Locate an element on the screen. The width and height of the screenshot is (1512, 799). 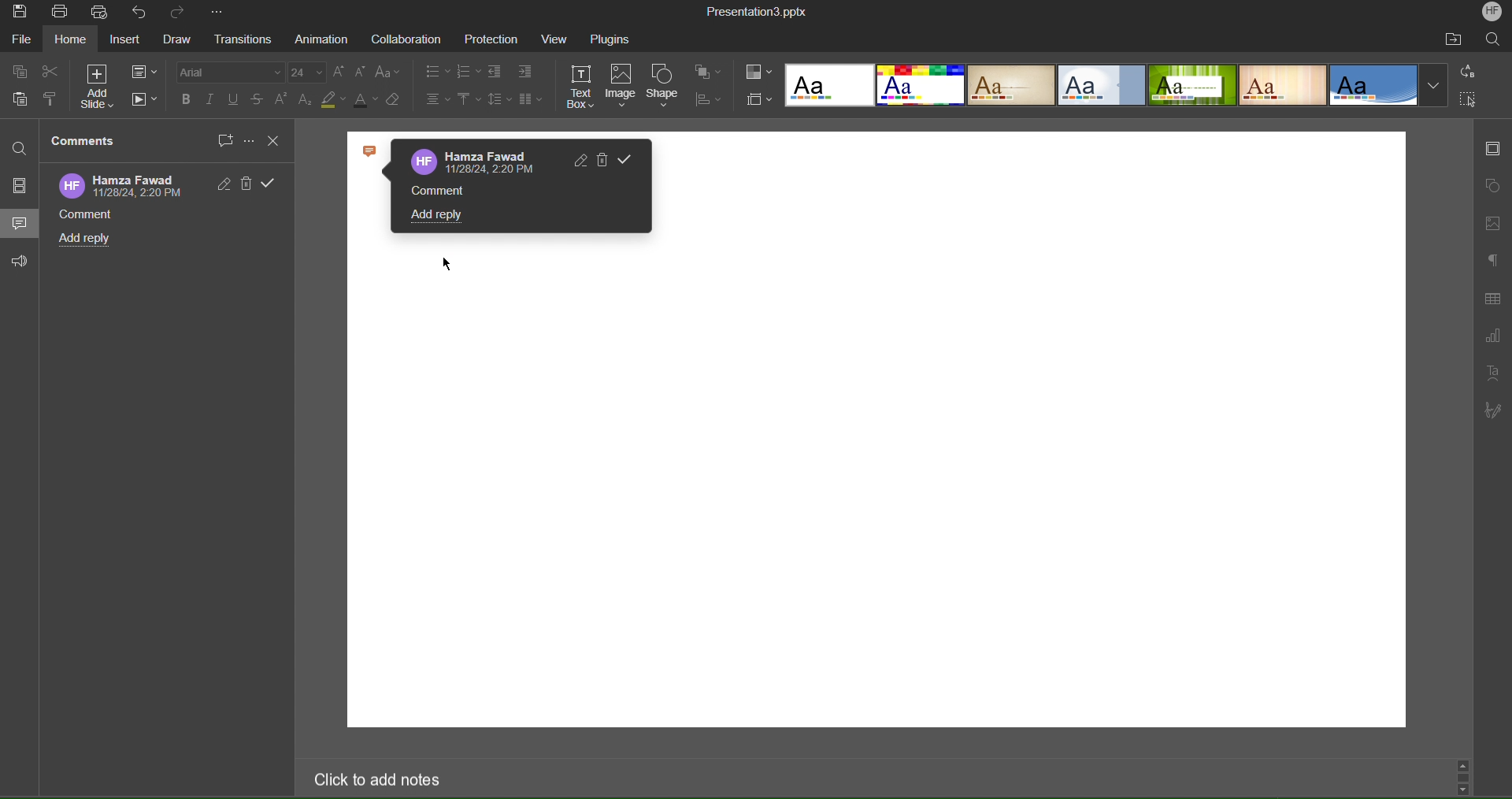
Vertical Alignment is located at coordinates (468, 101).